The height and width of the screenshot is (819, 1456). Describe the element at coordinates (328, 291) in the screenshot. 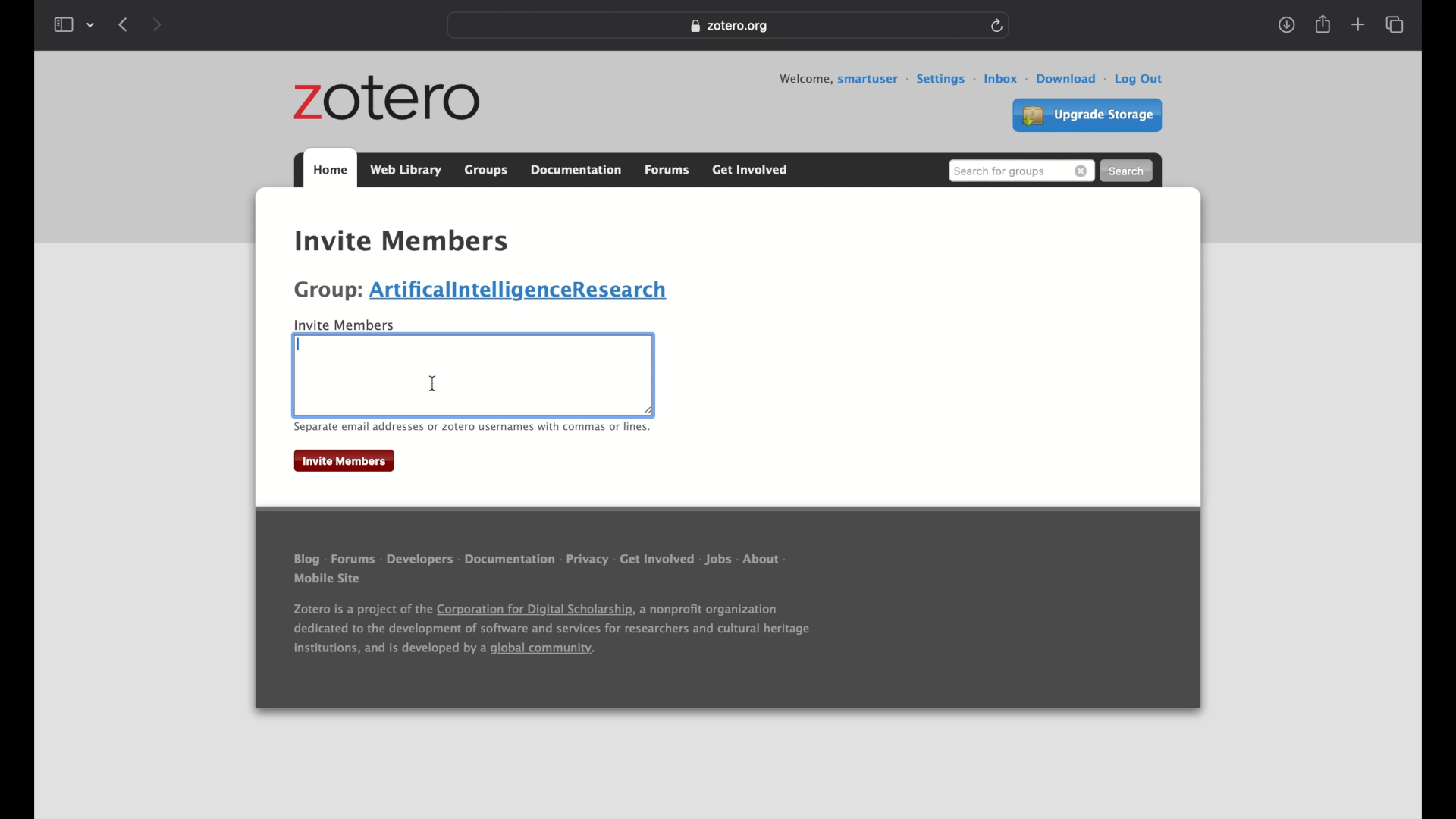

I see `group:` at that location.